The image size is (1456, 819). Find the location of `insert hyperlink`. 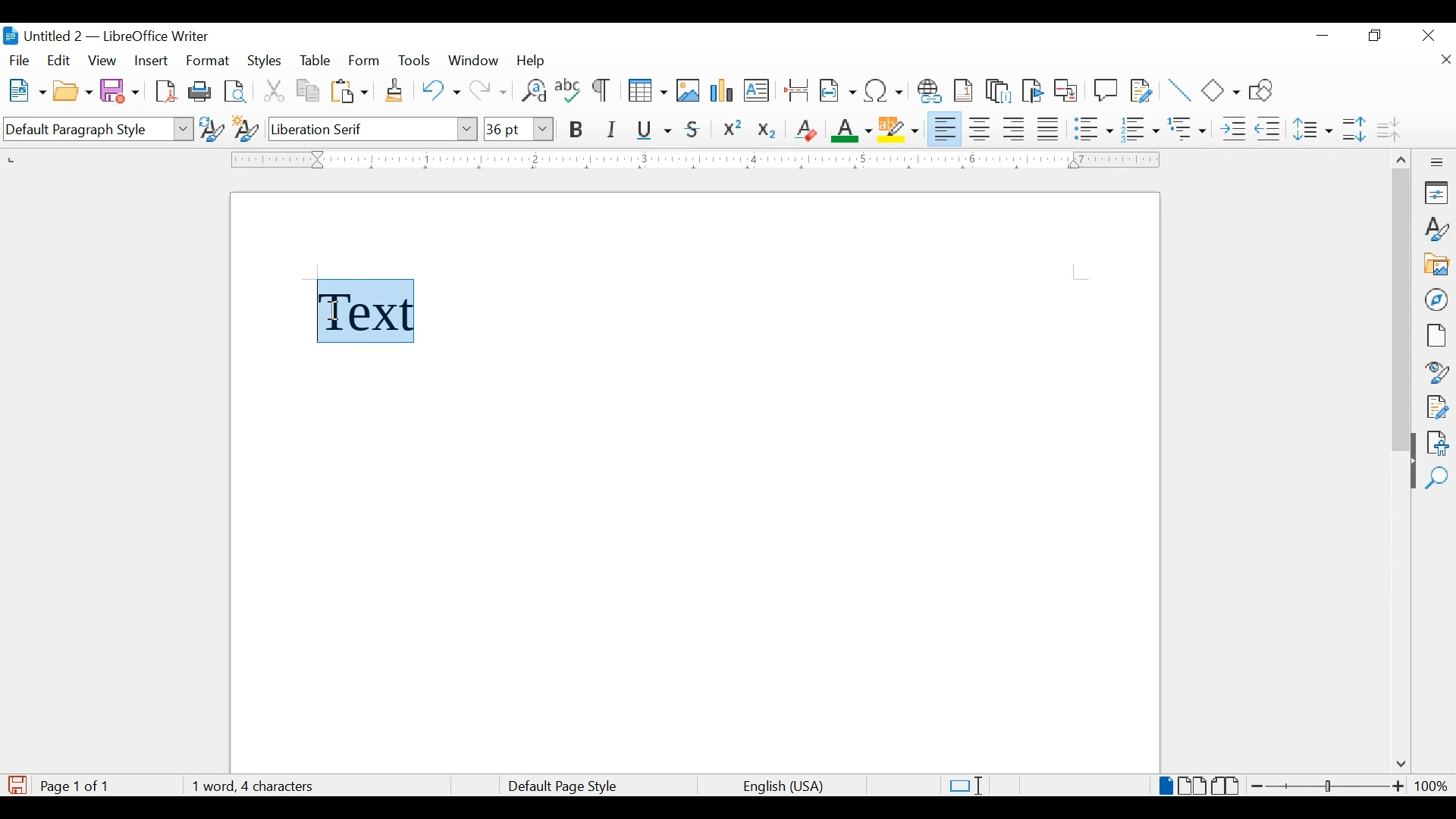

insert hyperlink is located at coordinates (930, 91).